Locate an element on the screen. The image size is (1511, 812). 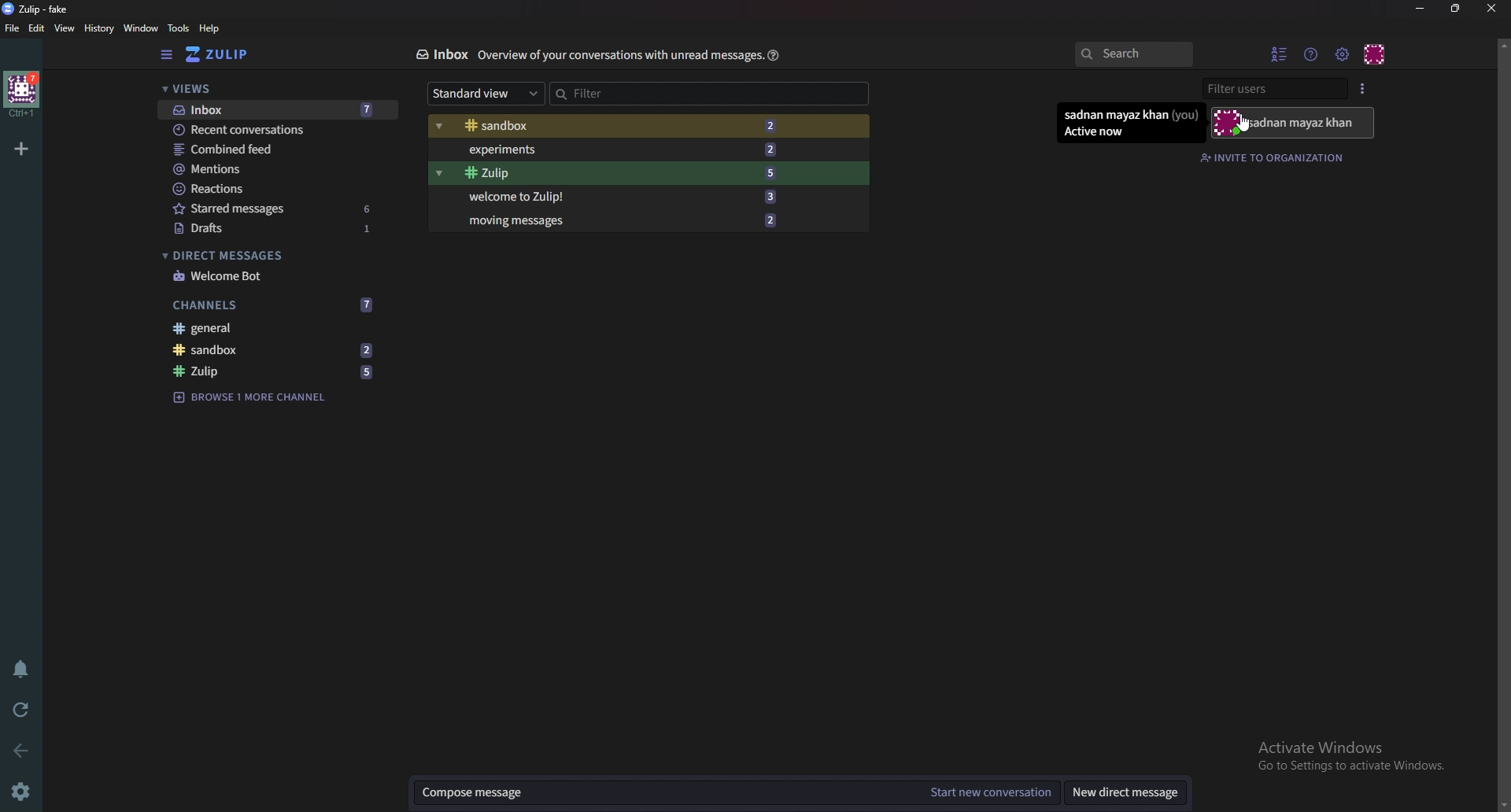
Starred messages is located at coordinates (274, 209).